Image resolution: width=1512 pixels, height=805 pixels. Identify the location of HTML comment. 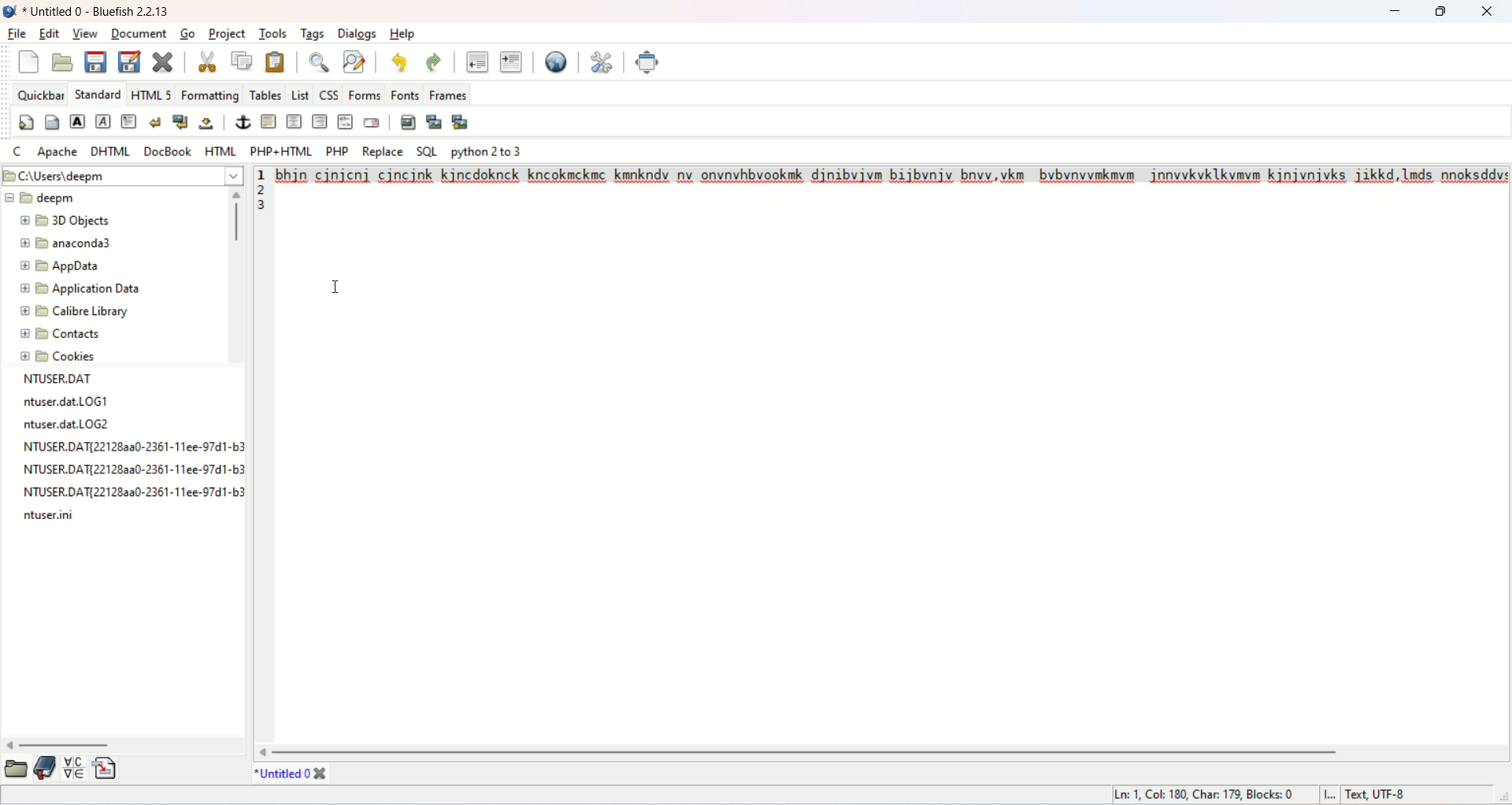
(345, 123).